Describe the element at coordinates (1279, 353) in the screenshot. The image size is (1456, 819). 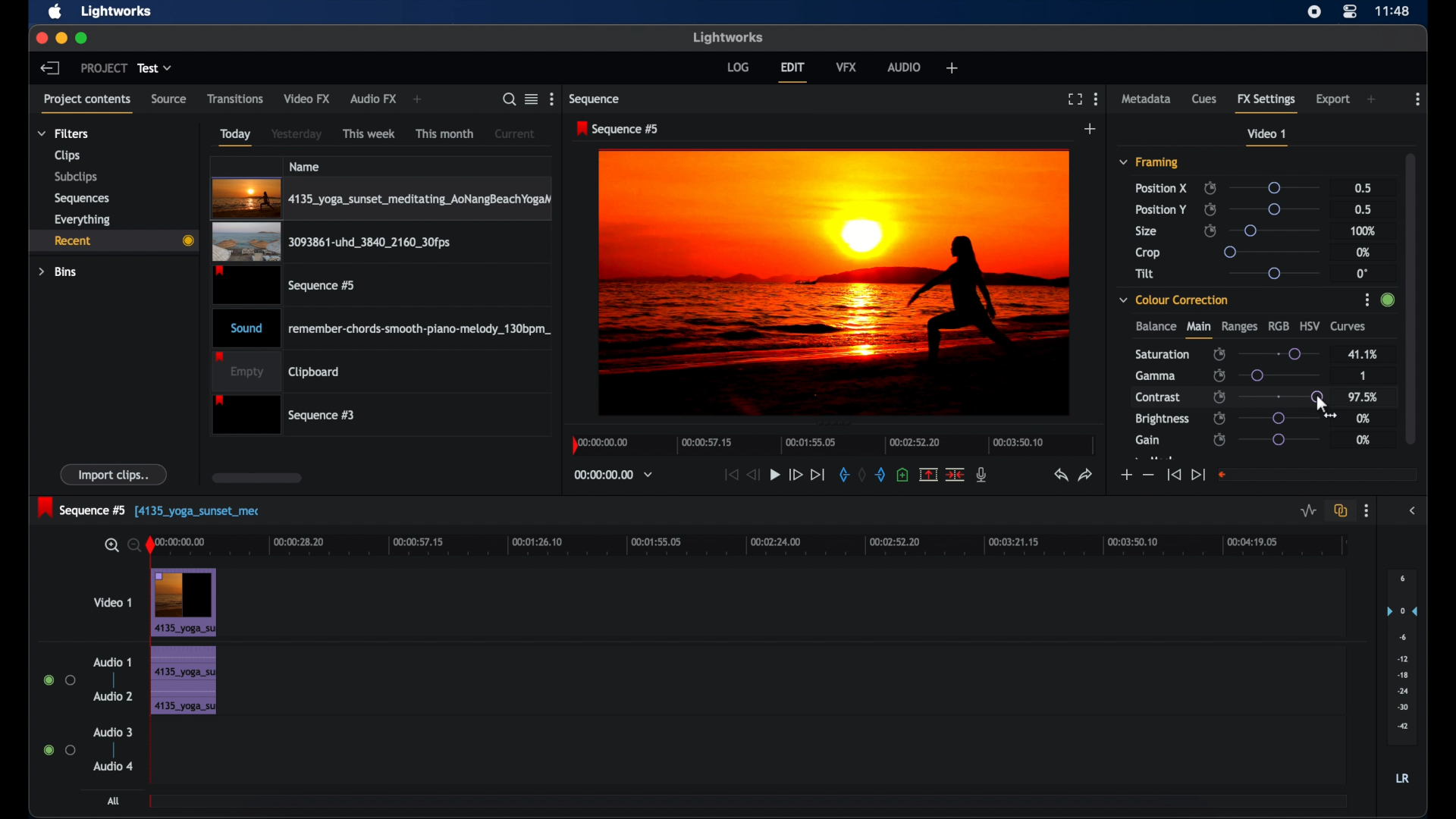
I see `slider` at that location.